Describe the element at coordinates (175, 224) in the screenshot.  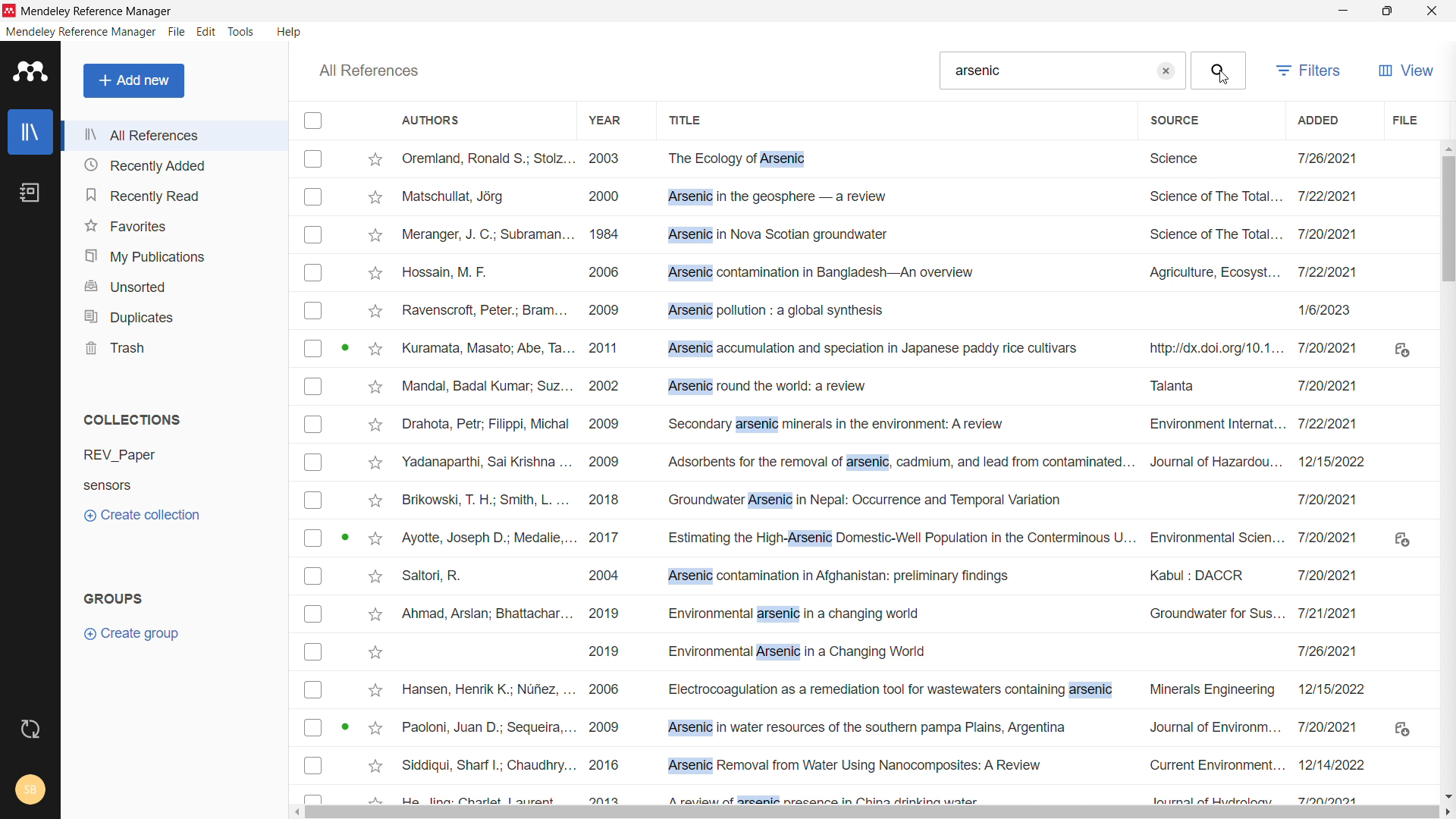
I see `favorites` at that location.